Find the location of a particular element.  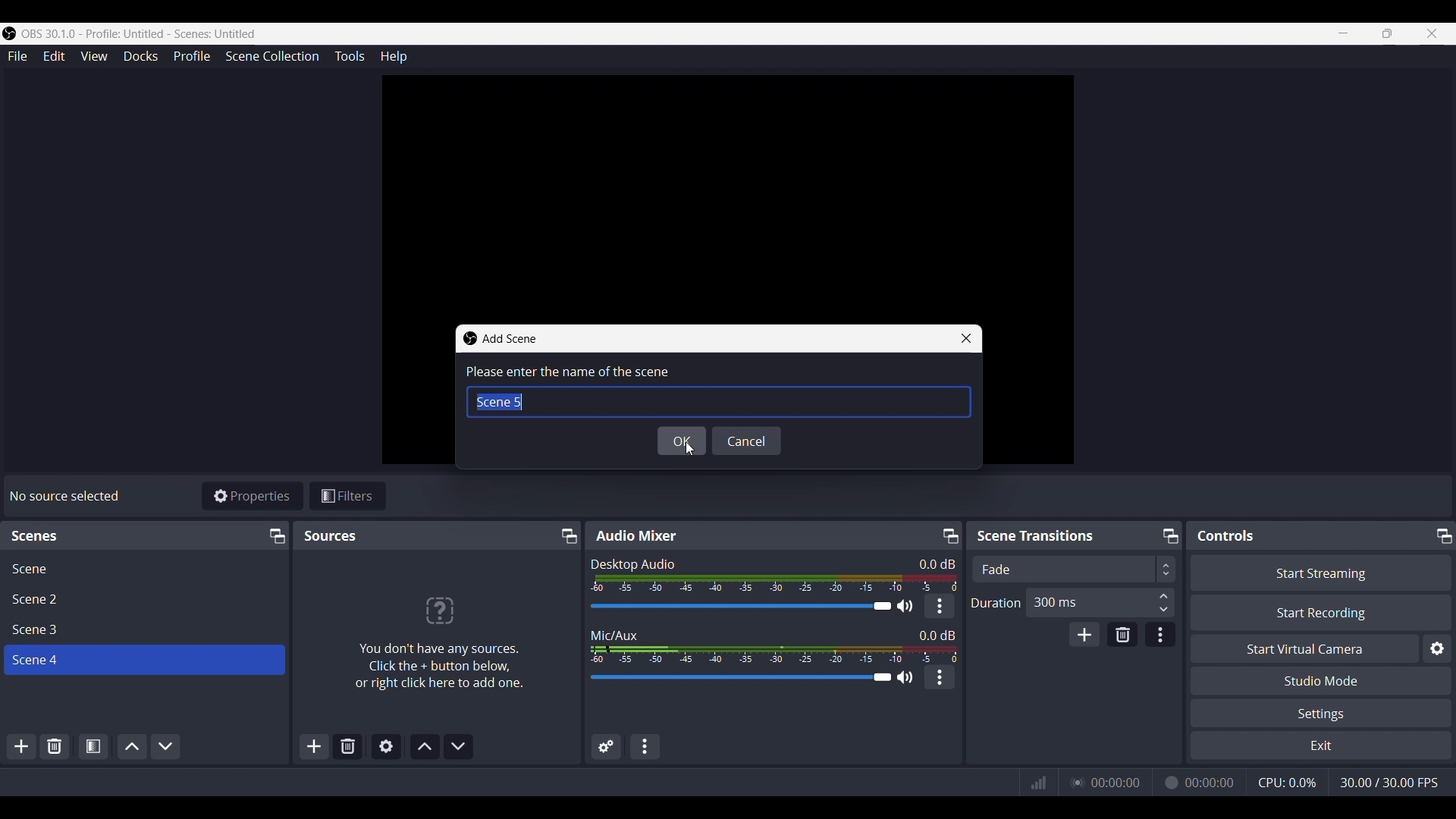

ADD SCENES is located at coordinates (23, 748).